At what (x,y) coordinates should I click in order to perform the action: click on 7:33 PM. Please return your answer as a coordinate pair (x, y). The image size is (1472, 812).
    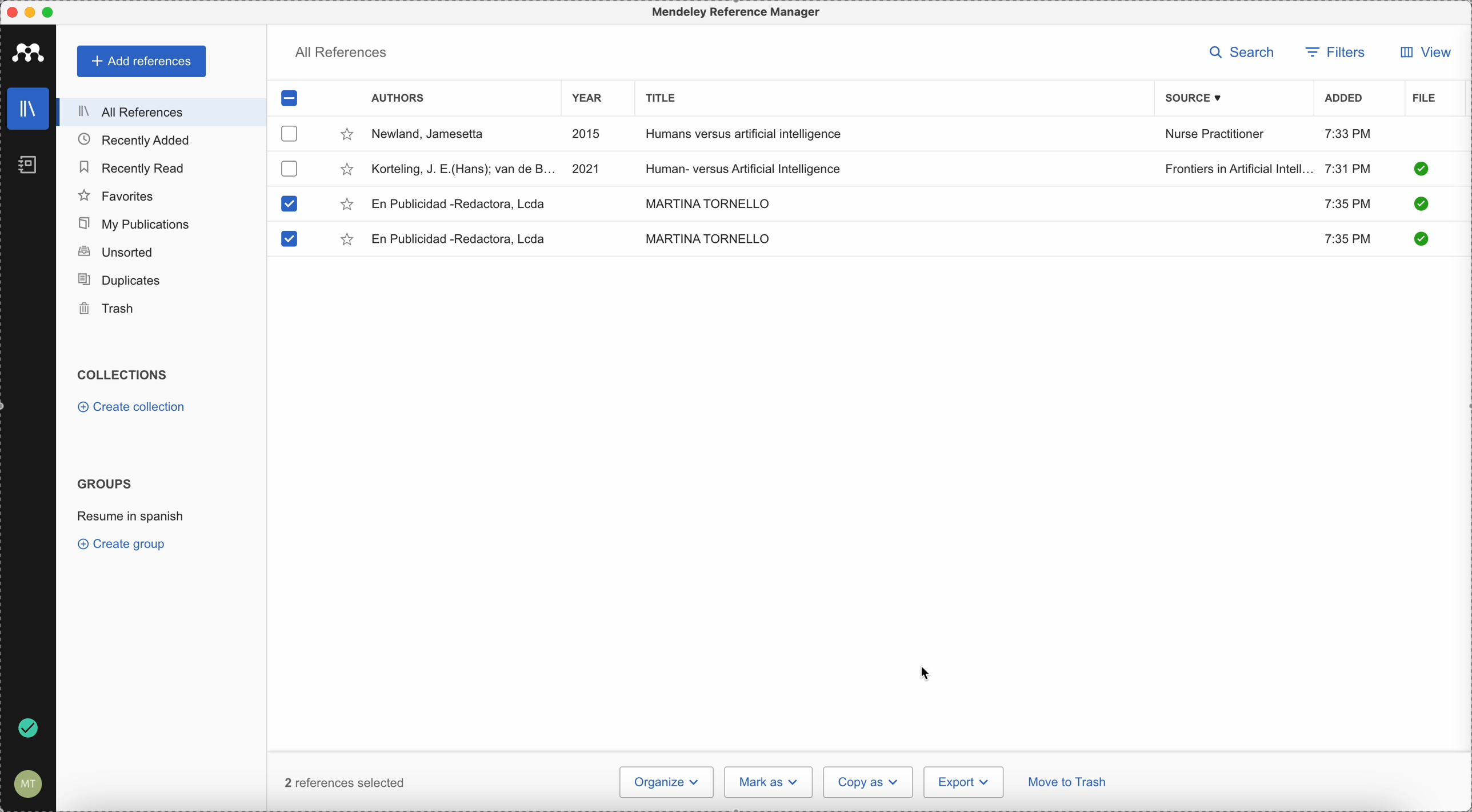
    Looking at the image, I should click on (1348, 133).